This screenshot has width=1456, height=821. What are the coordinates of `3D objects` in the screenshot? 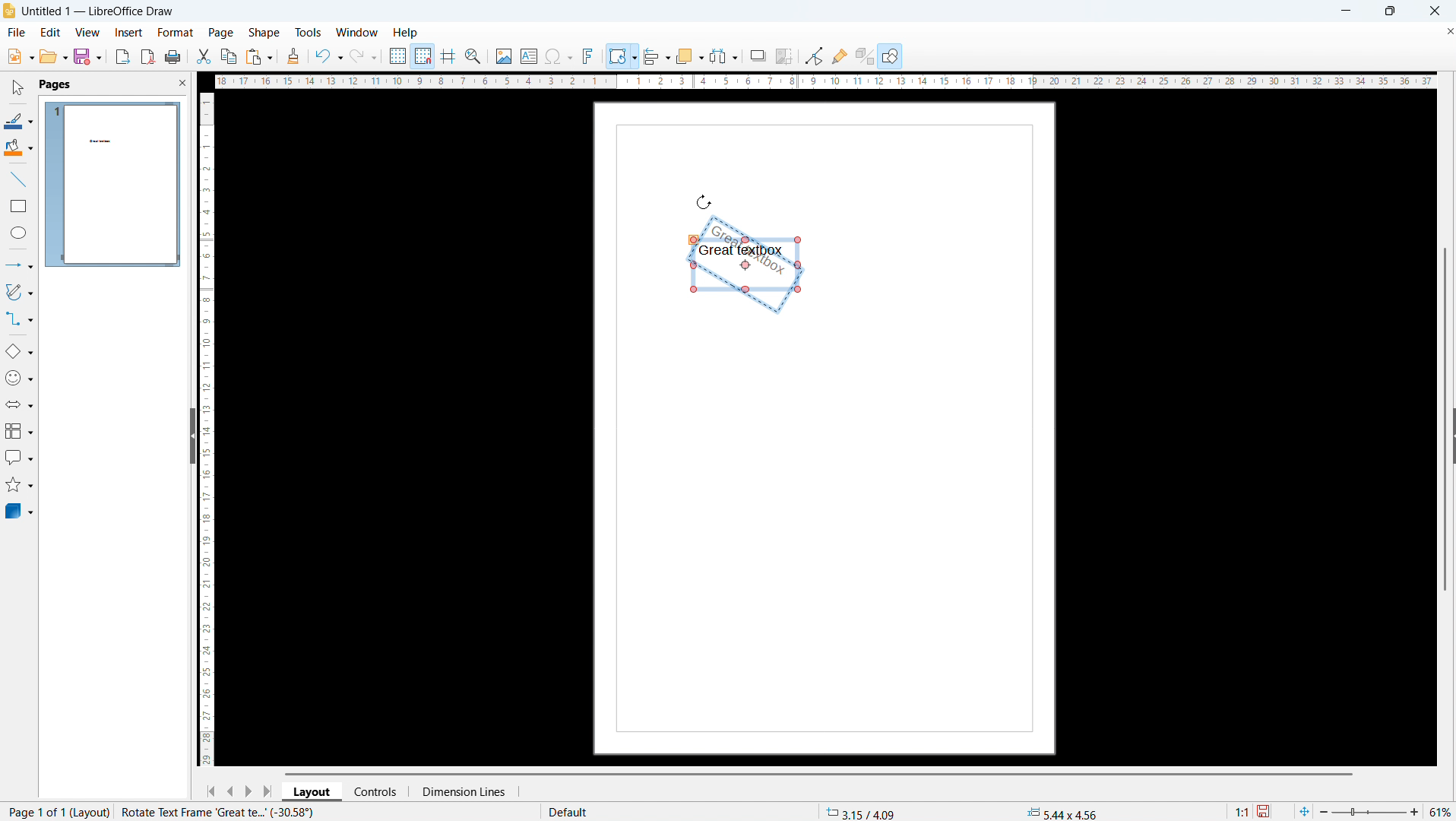 It's located at (20, 512).